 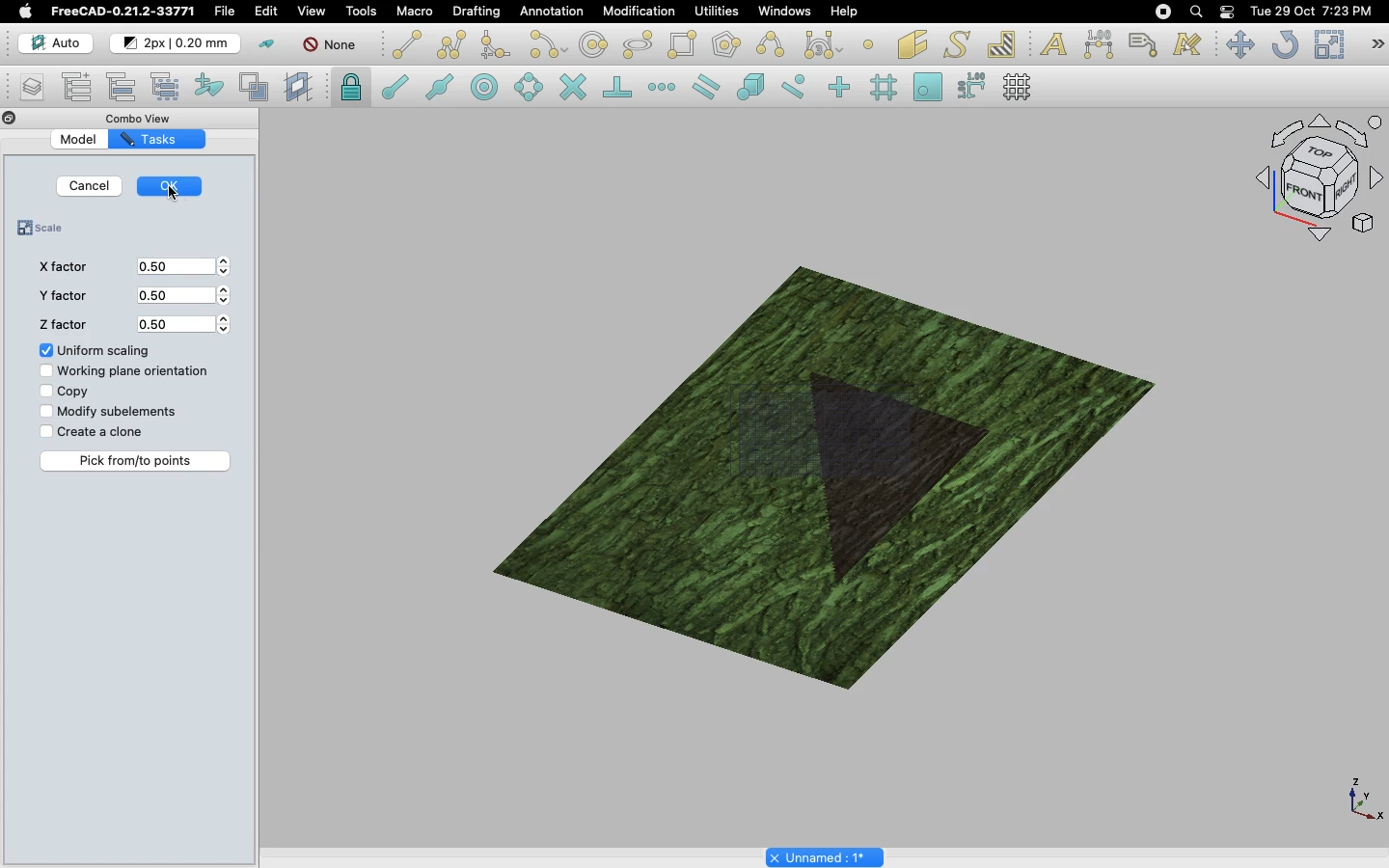 I want to click on Snap near, so click(x=793, y=88).